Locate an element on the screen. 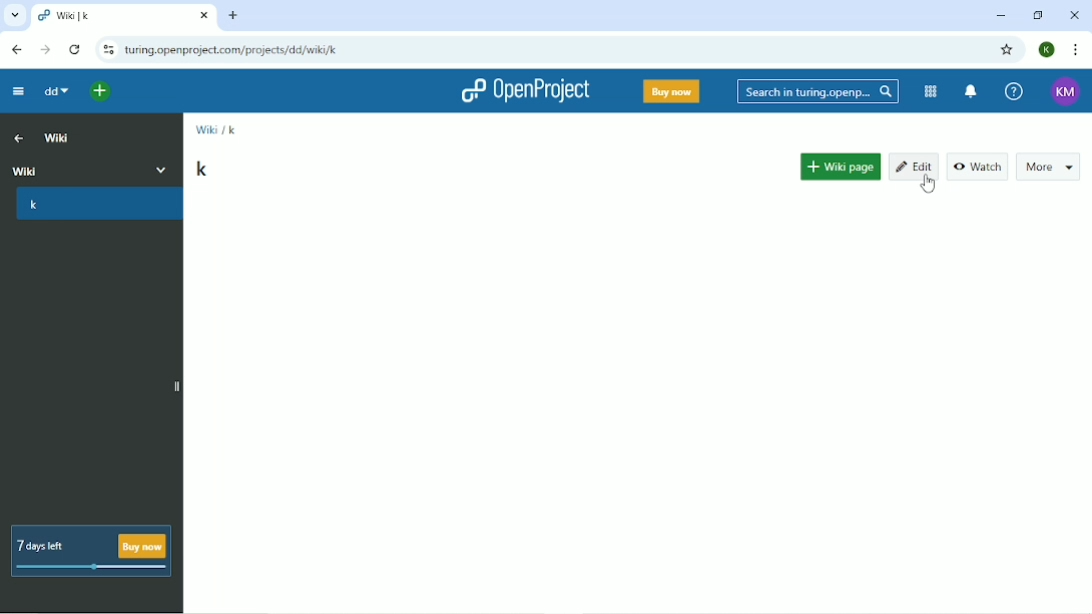 This screenshot has width=1092, height=614. turing.openproject.com/ projects, dd /wiki/k. is located at coordinates (240, 50).